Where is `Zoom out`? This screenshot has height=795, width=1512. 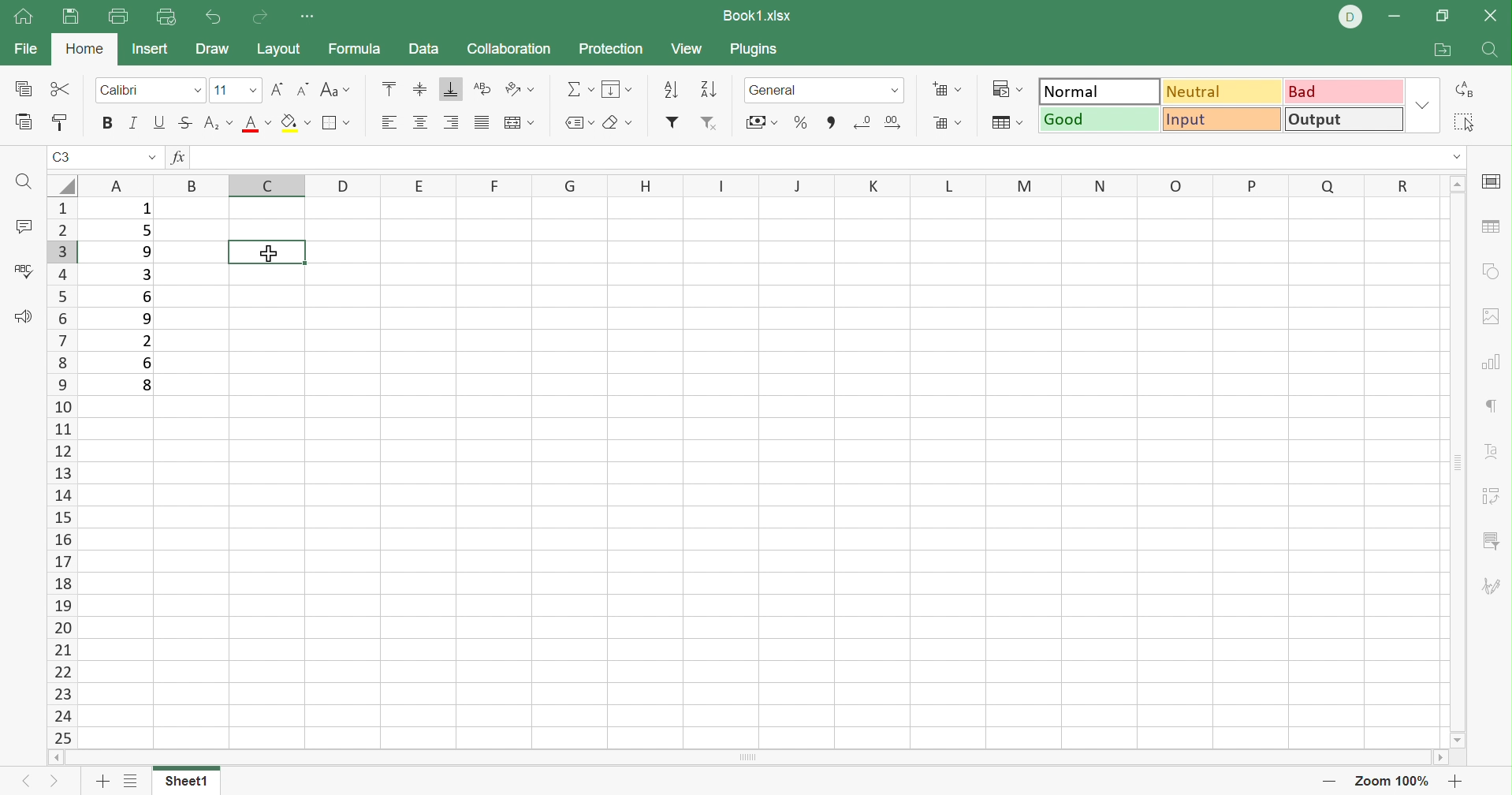 Zoom out is located at coordinates (1458, 780).